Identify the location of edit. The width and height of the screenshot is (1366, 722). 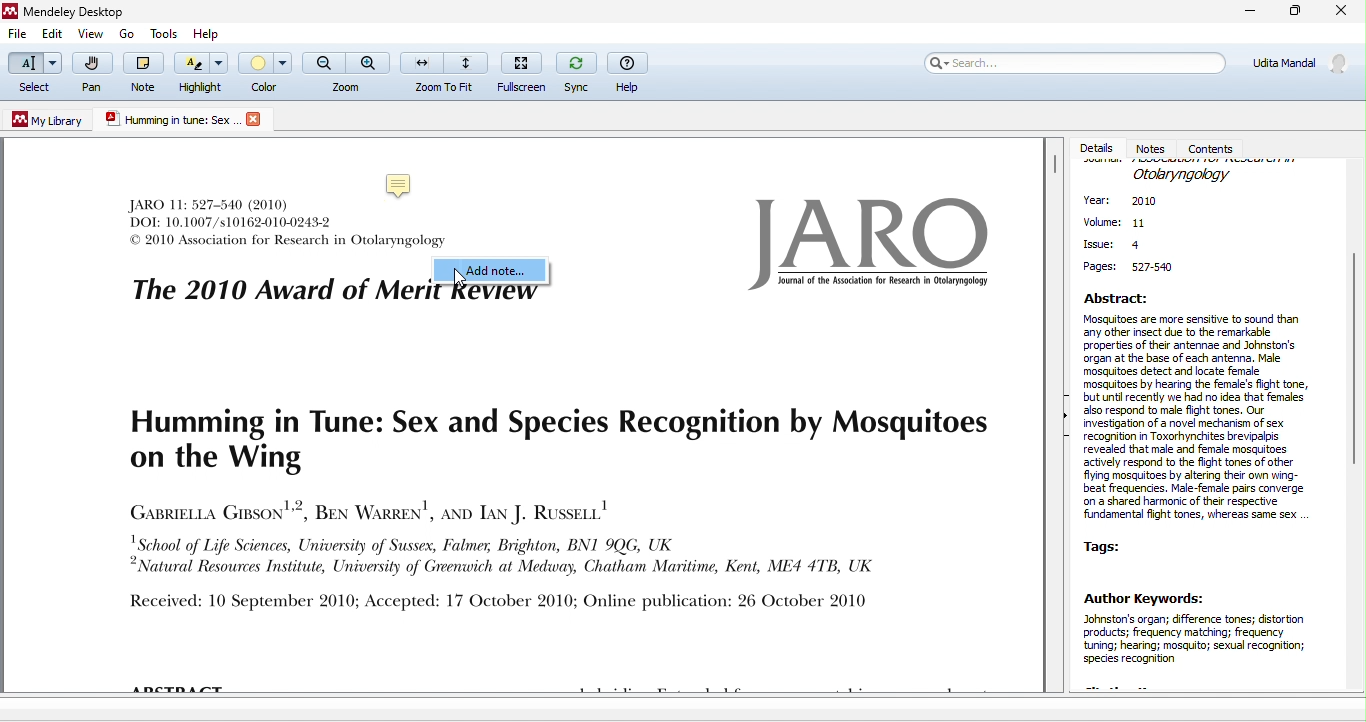
(53, 36).